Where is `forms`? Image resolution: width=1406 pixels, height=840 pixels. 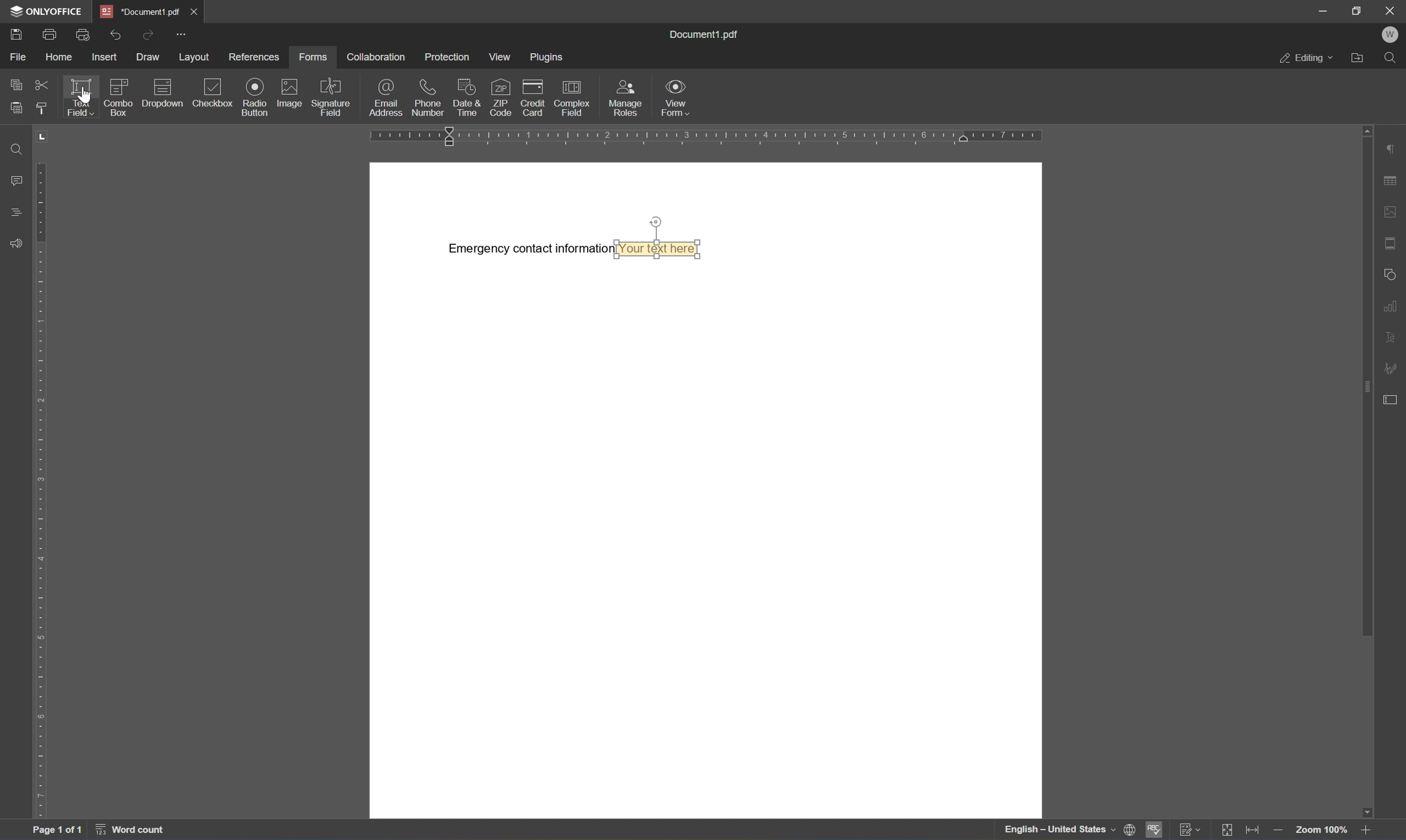 forms is located at coordinates (314, 57).